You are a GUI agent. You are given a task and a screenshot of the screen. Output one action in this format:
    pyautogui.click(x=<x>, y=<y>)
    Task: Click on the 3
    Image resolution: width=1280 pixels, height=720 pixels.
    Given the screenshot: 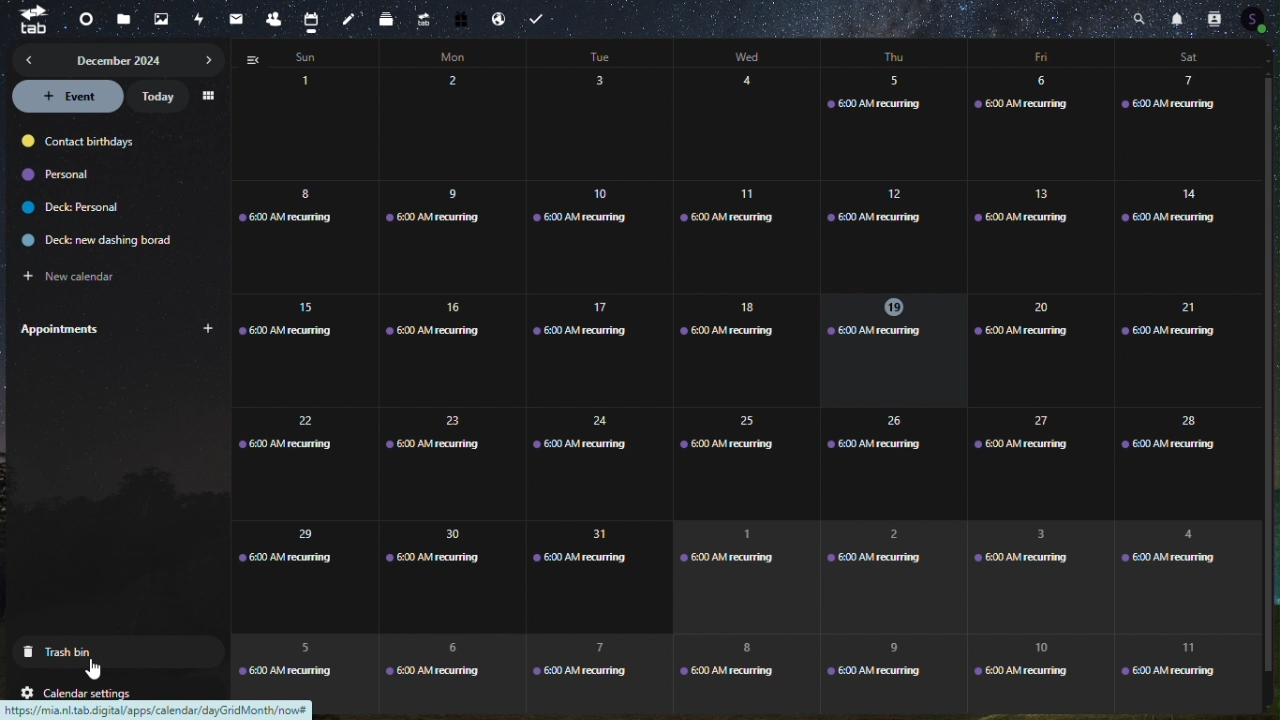 What is the action you would take?
    pyautogui.click(x=606, y=125)
    